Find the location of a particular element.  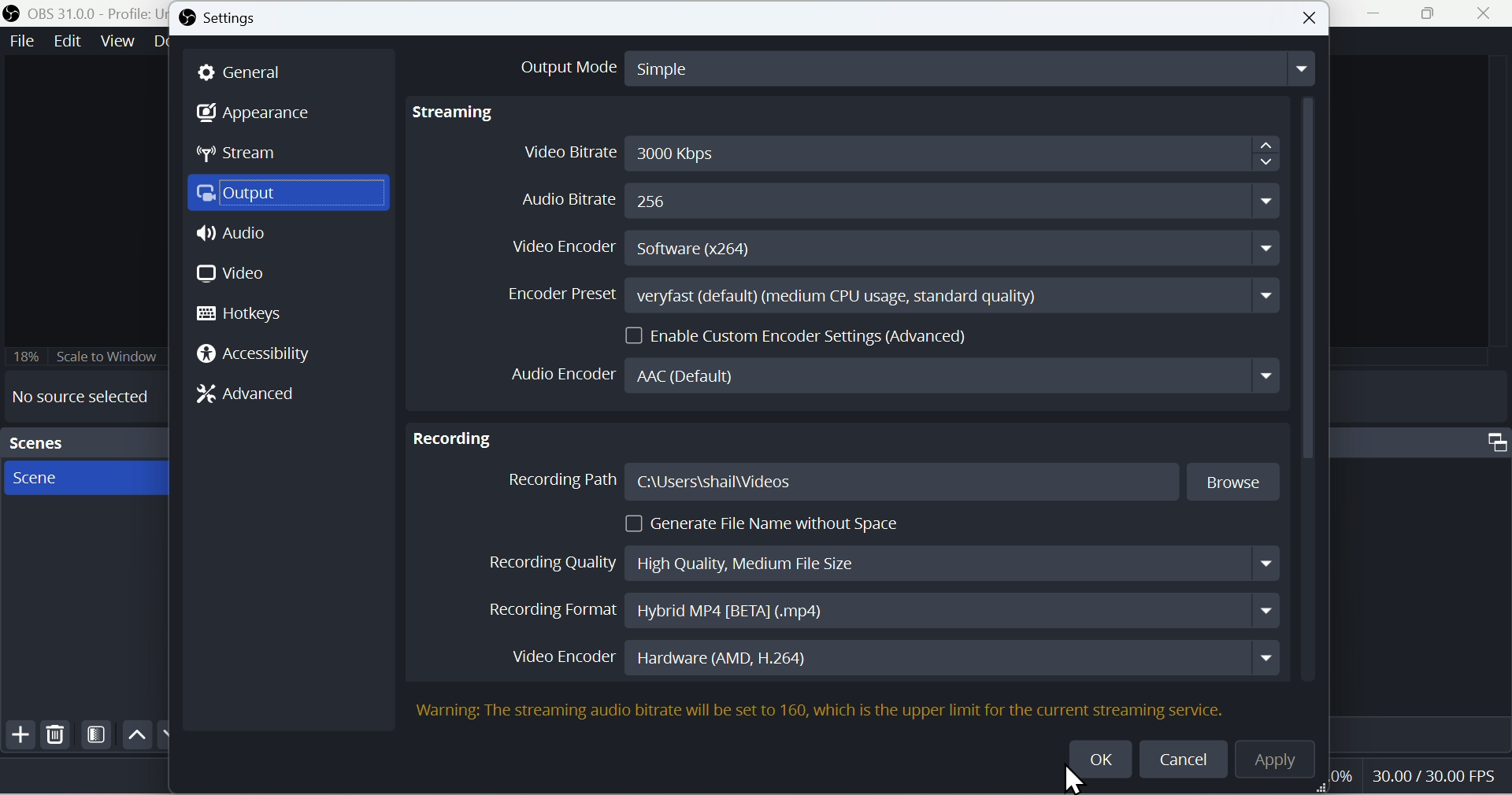

Generate File Name without Space is located at coordinates (768, 523).